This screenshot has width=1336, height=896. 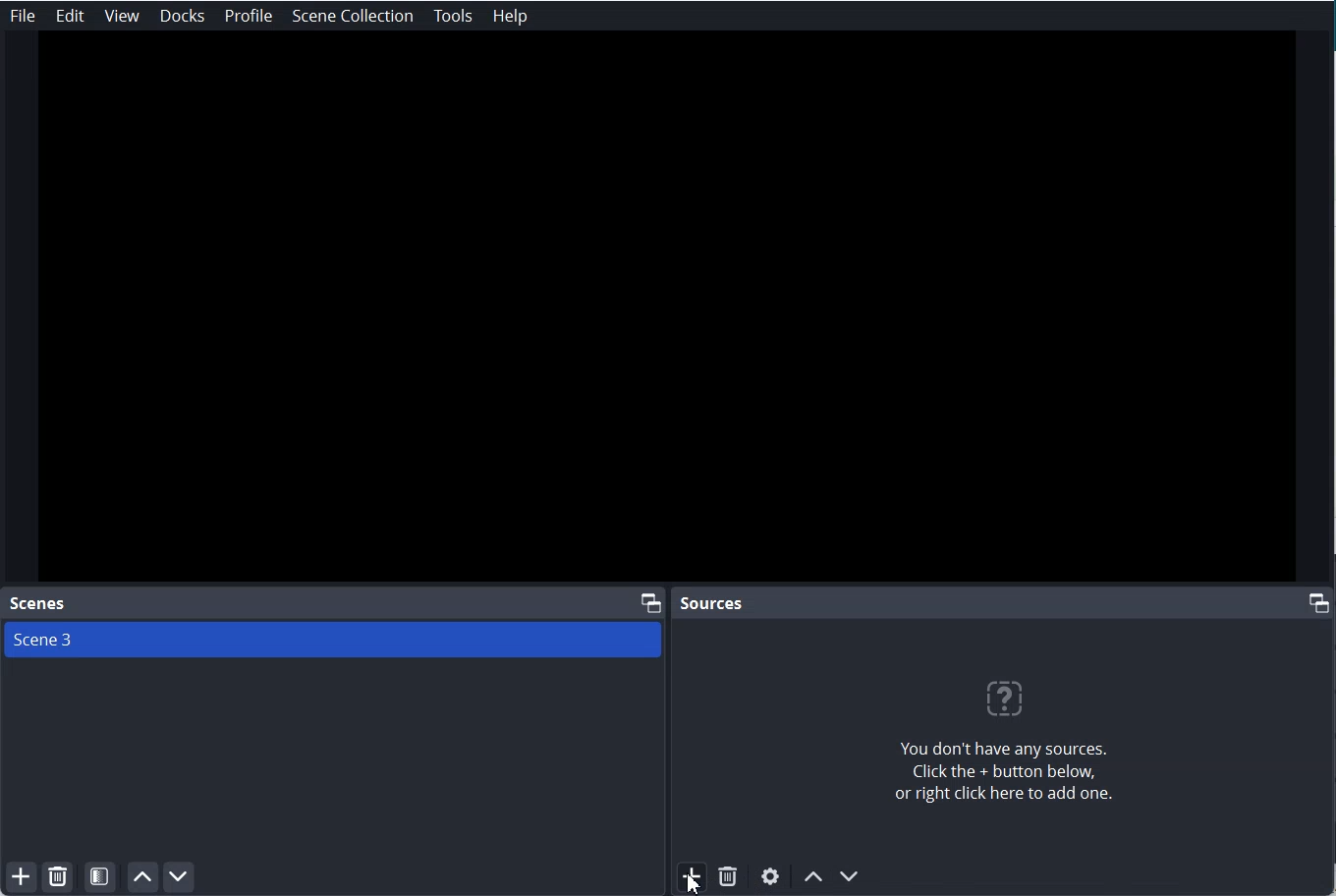 What do you see at coordinates (18, 878) in the screenshot?
I see `Add Scene` at bounding box center [18, 878].